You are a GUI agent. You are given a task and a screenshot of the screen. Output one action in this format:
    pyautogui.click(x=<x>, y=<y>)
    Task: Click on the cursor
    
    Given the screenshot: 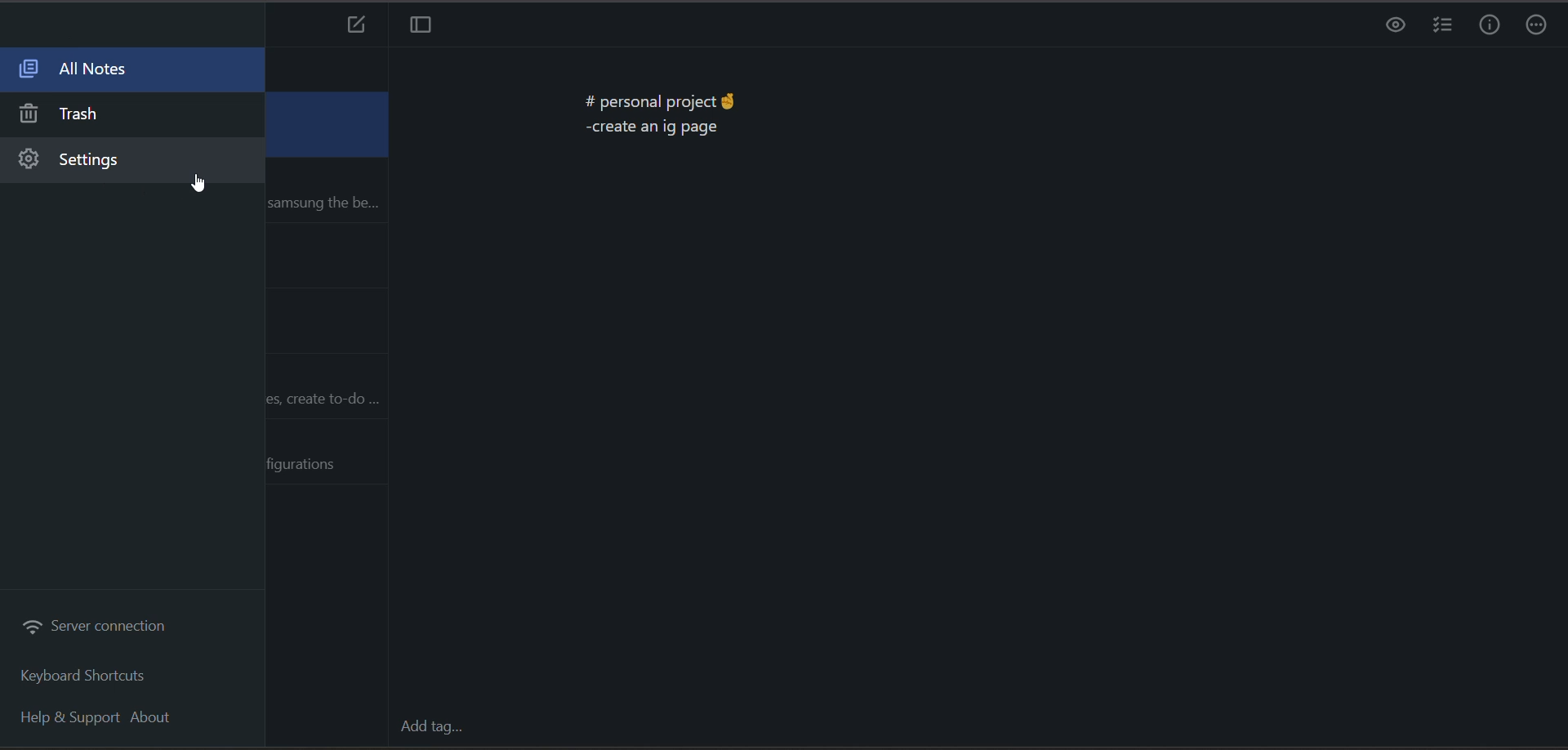 What is the action you would take?
    pyautogui.click(x=198, y=186)
    